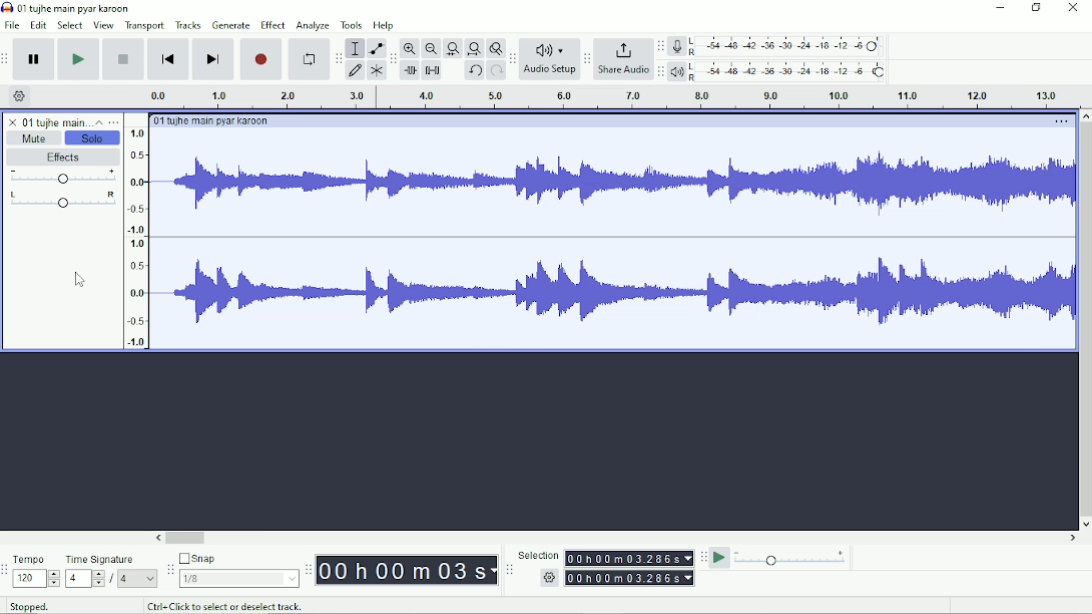  Describe the element at coordinates (46, 119) in the screenshot. I see `Audio title` at that location.